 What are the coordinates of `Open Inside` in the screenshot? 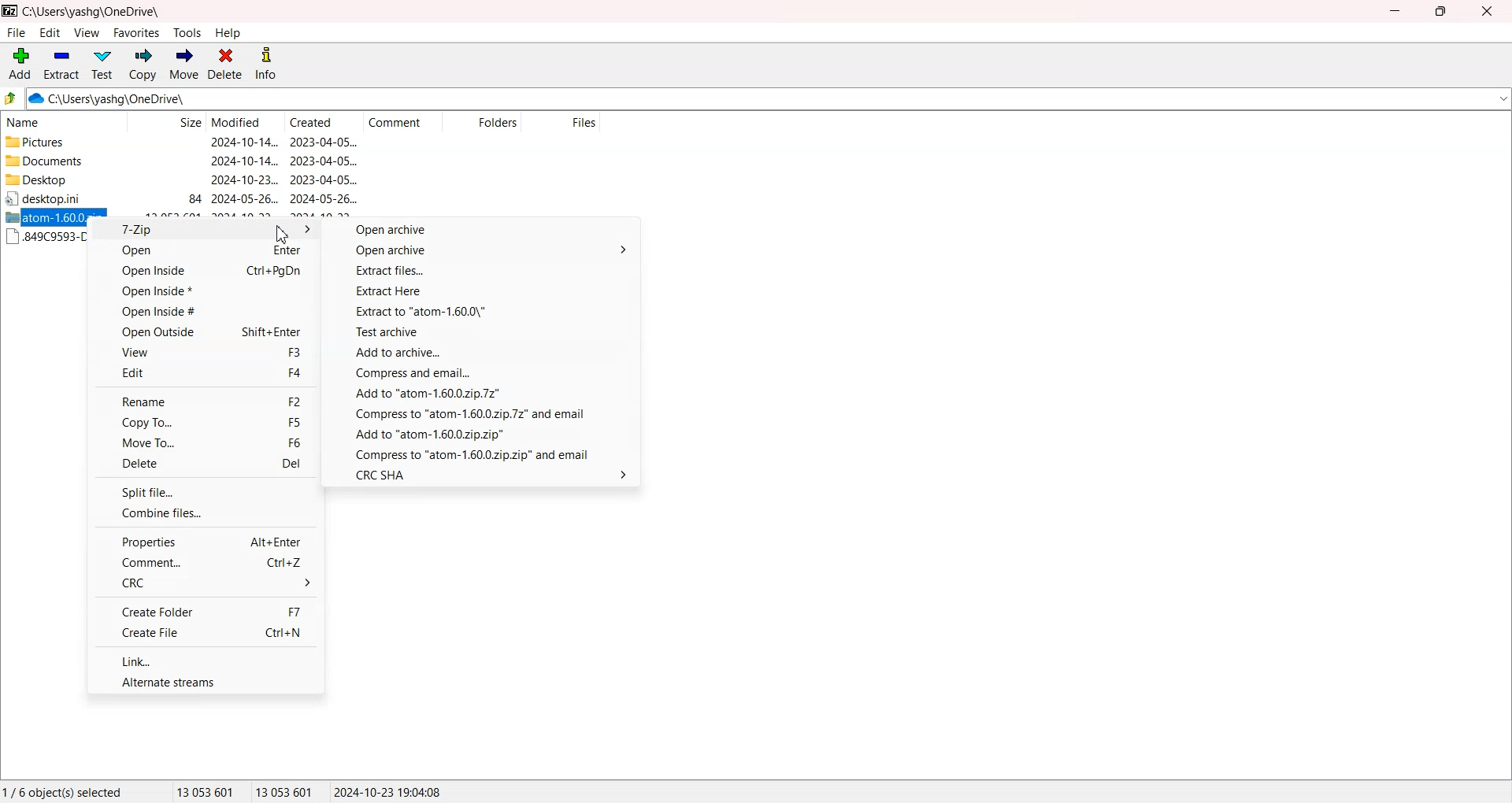 It's located at (204, 272).